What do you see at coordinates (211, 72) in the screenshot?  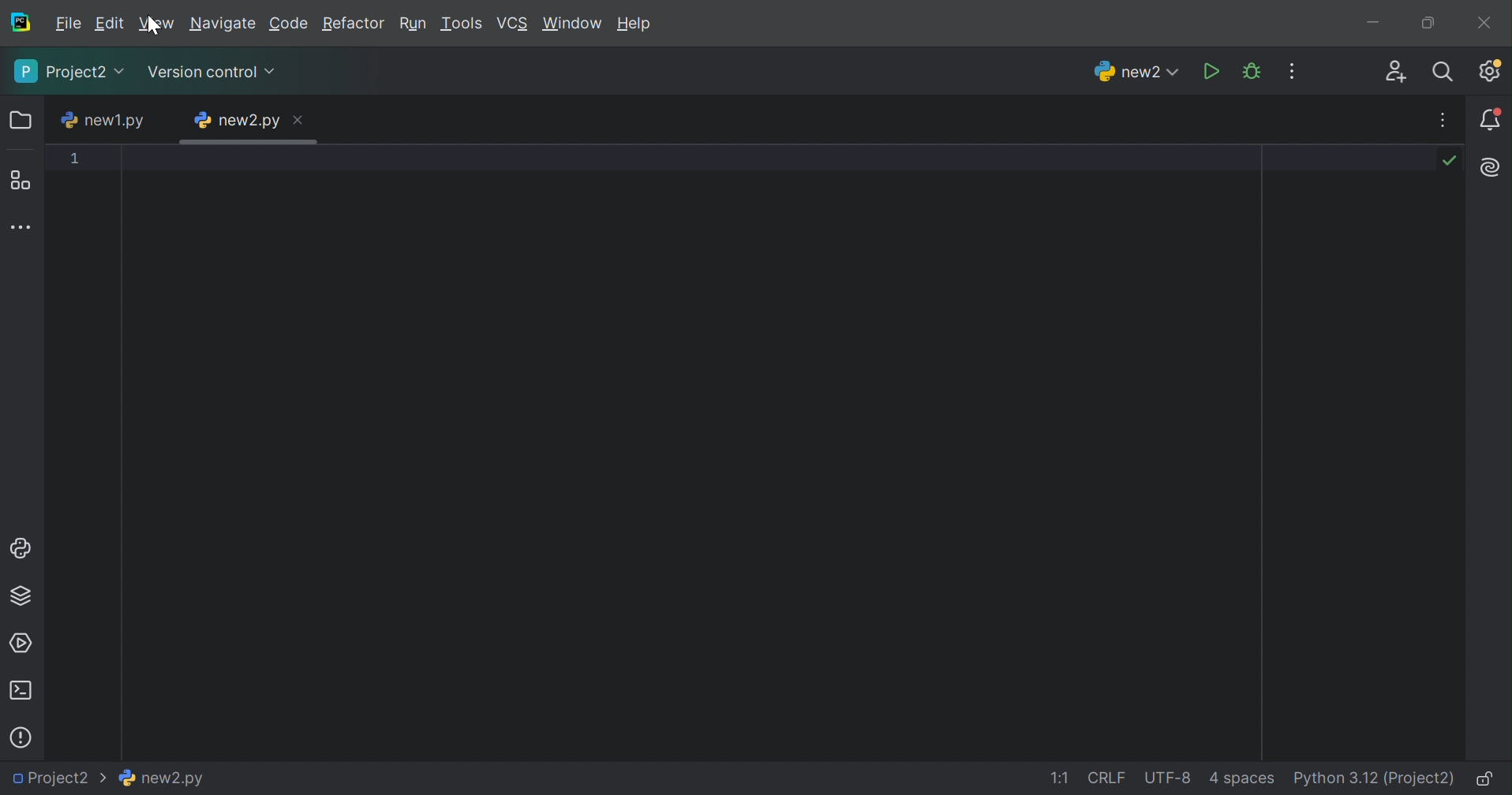 I see `Version control` at bounding box center [211, 72].